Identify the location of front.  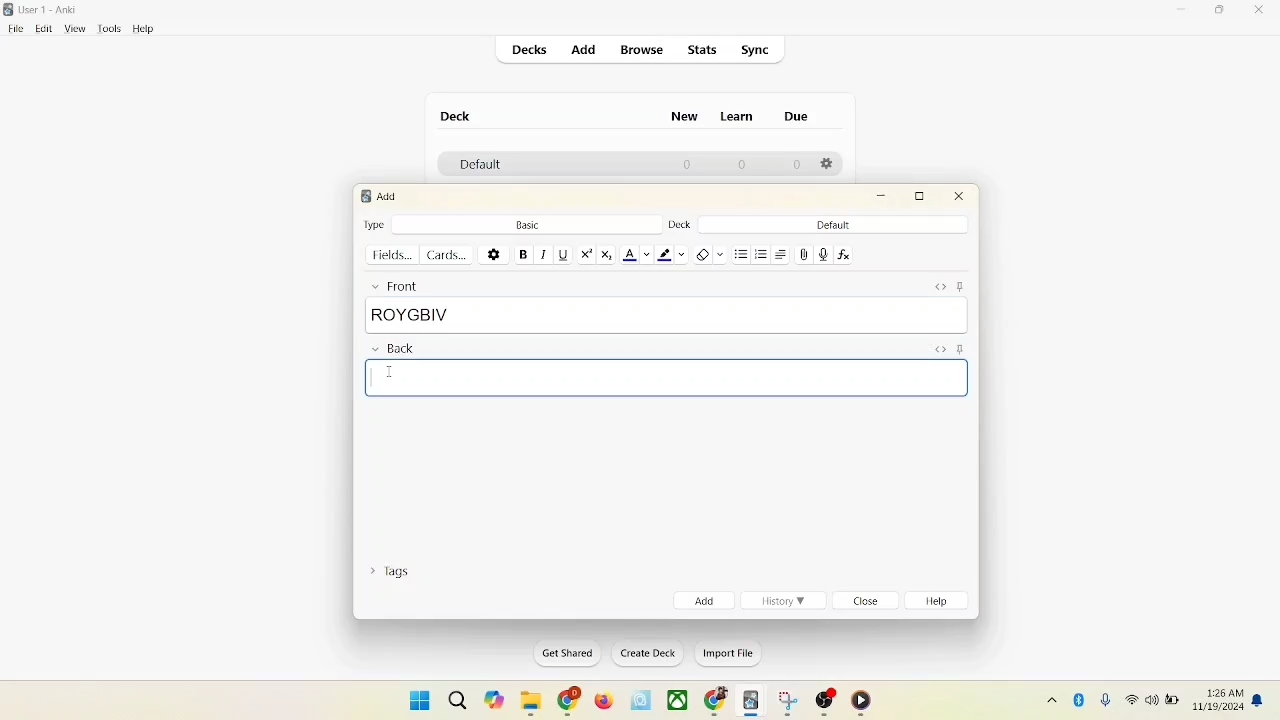
(392, 285).